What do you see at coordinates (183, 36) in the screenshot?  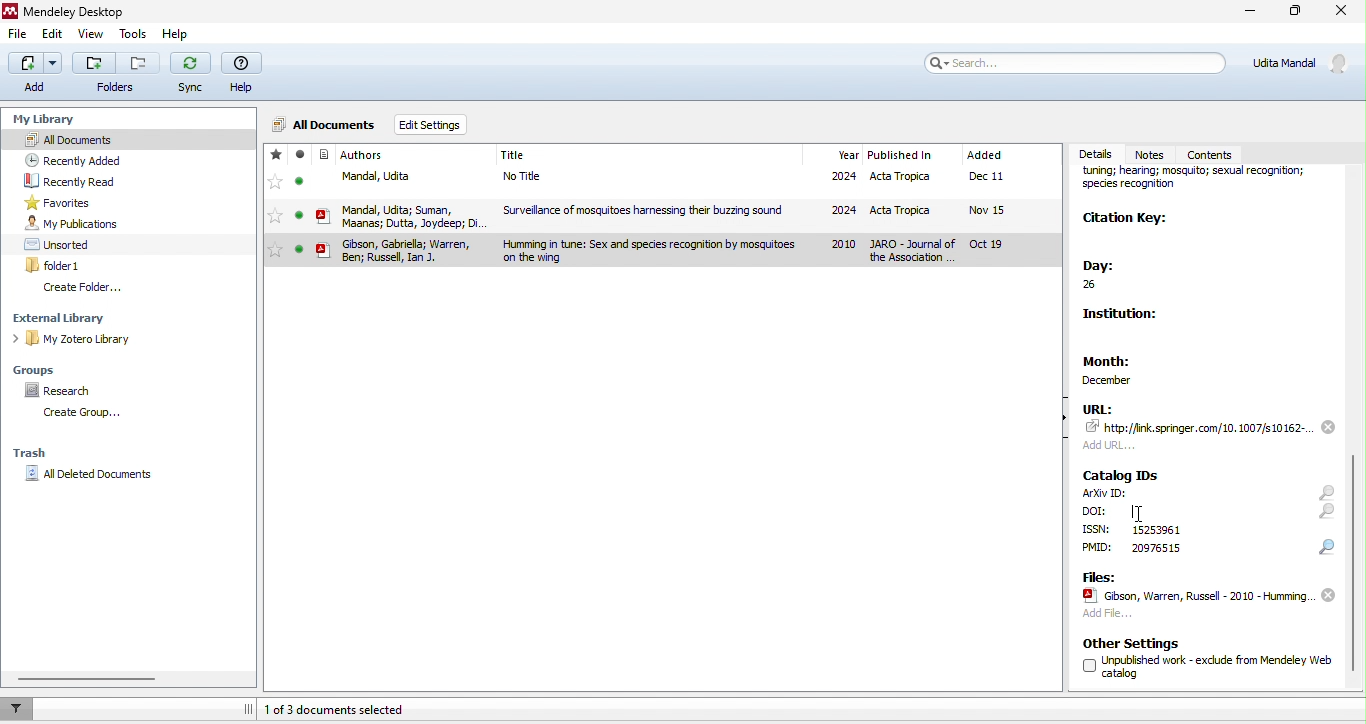 I see `help` at bounding box center [183, 36].